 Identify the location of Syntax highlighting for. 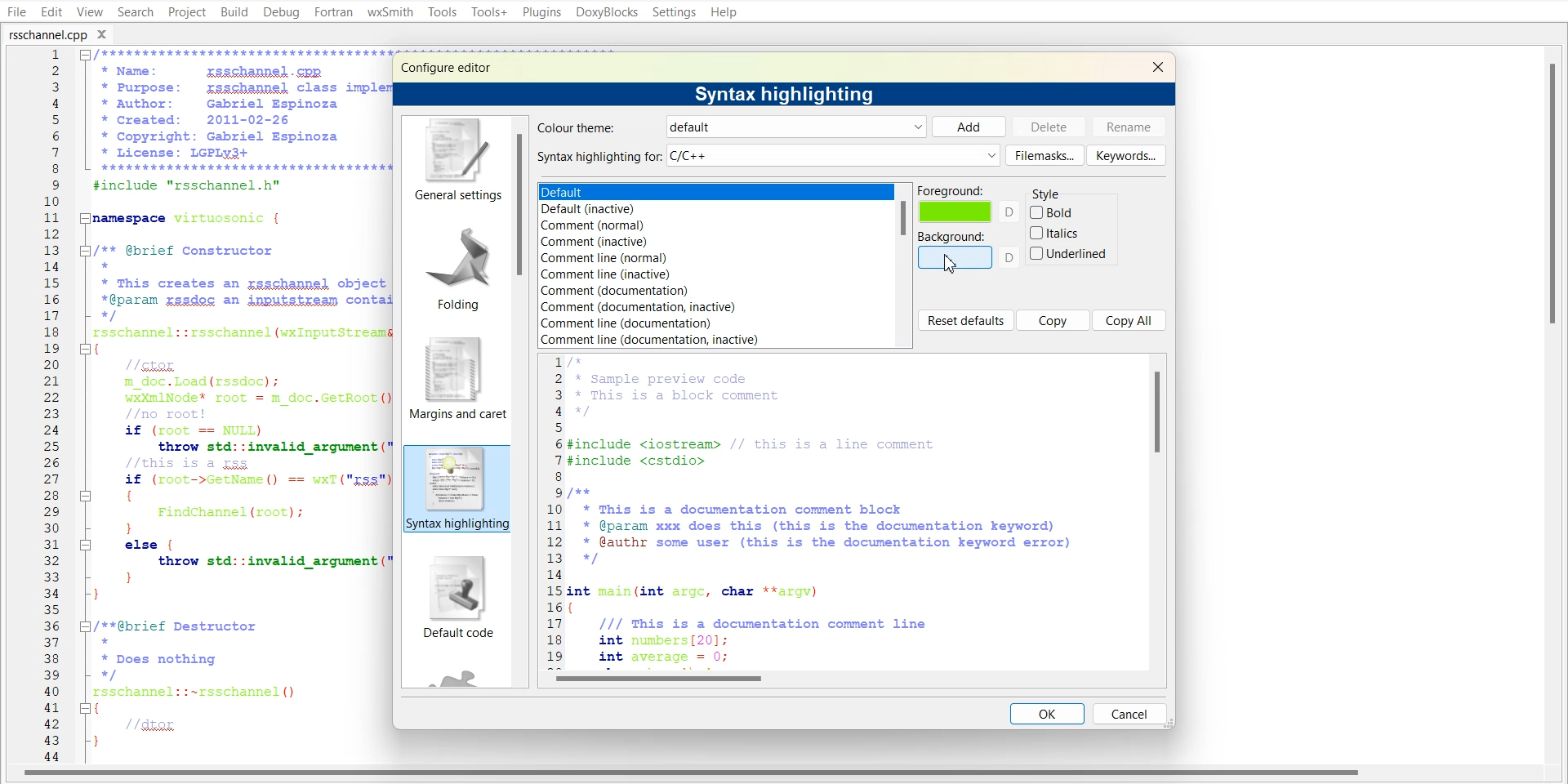
(768, 156).